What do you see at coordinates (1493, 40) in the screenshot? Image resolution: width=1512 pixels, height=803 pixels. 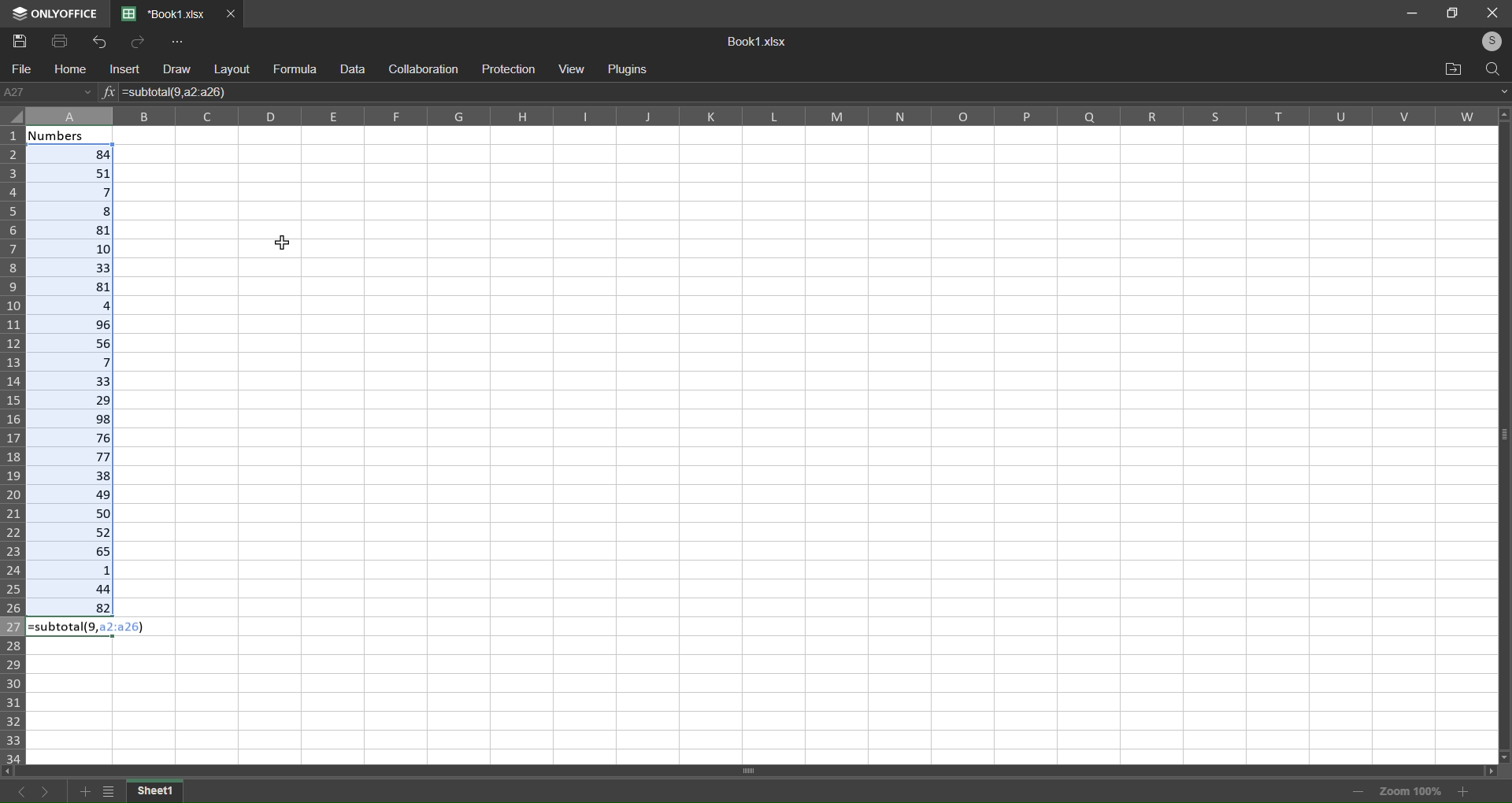 I see `login` at bounding box center [1493, 40].